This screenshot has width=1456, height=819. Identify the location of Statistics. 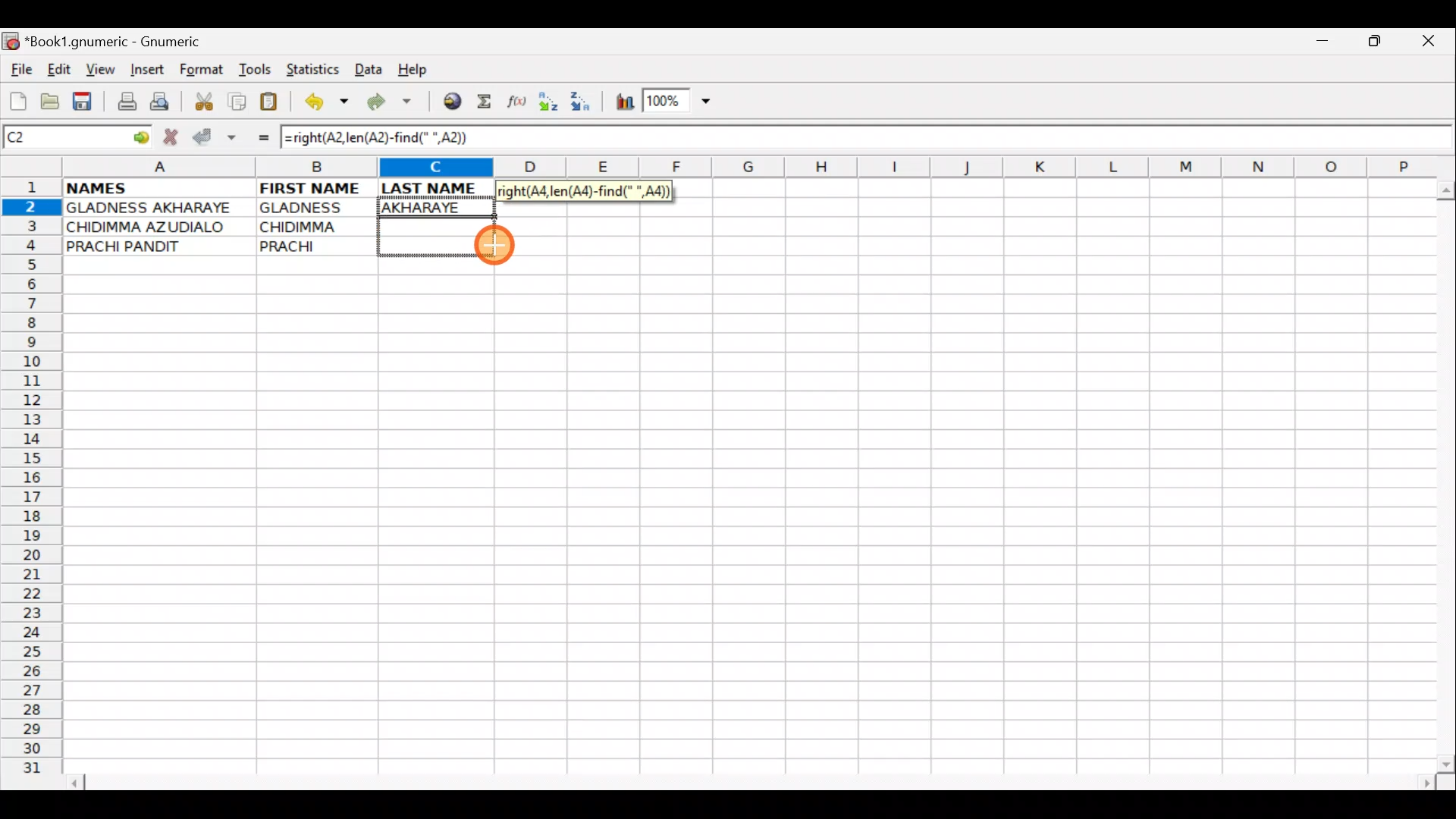
(317, 68).